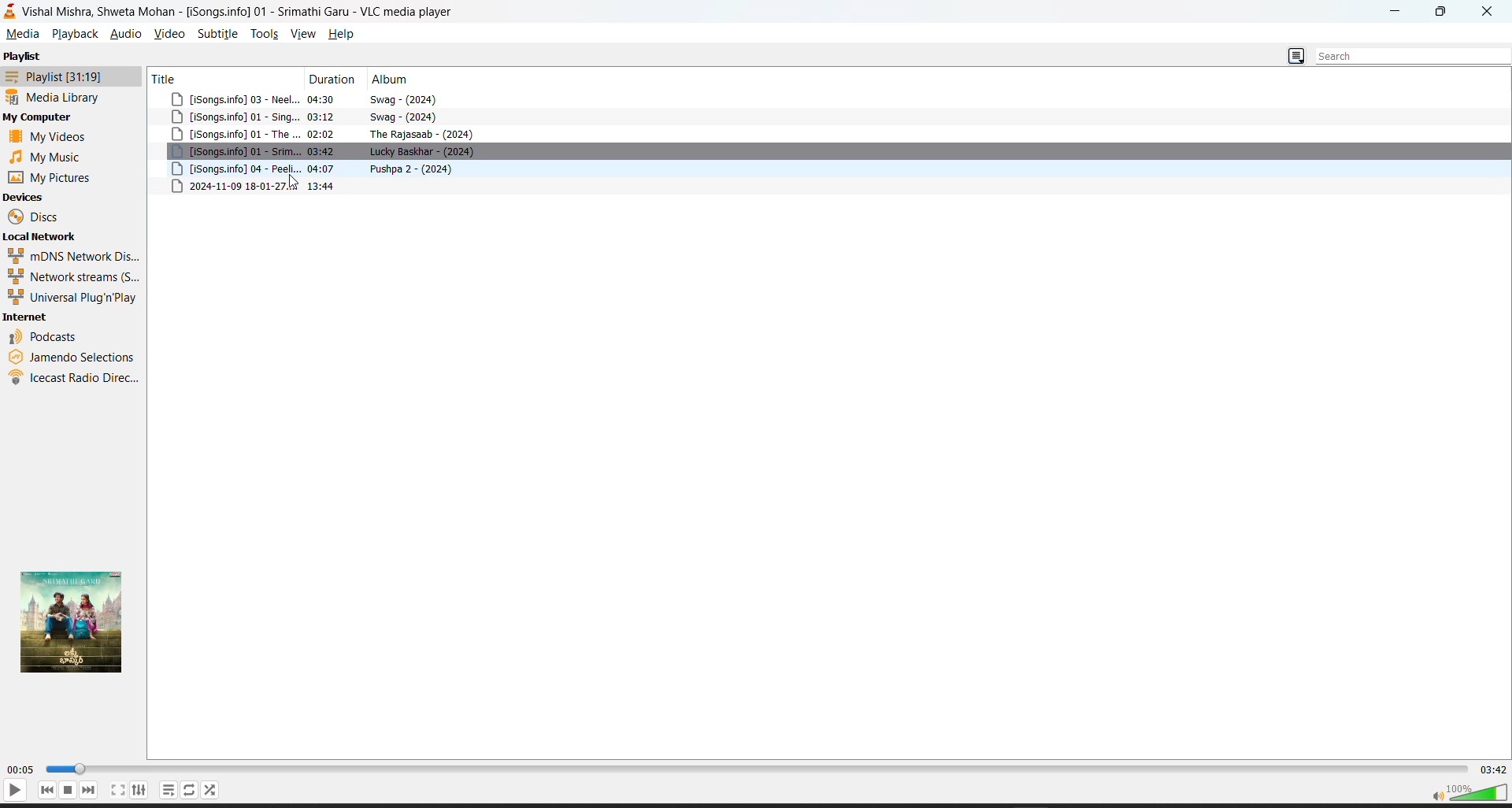 This screenshot has height=808, width=1512. I want to click on my pictures, so click(51, 176).